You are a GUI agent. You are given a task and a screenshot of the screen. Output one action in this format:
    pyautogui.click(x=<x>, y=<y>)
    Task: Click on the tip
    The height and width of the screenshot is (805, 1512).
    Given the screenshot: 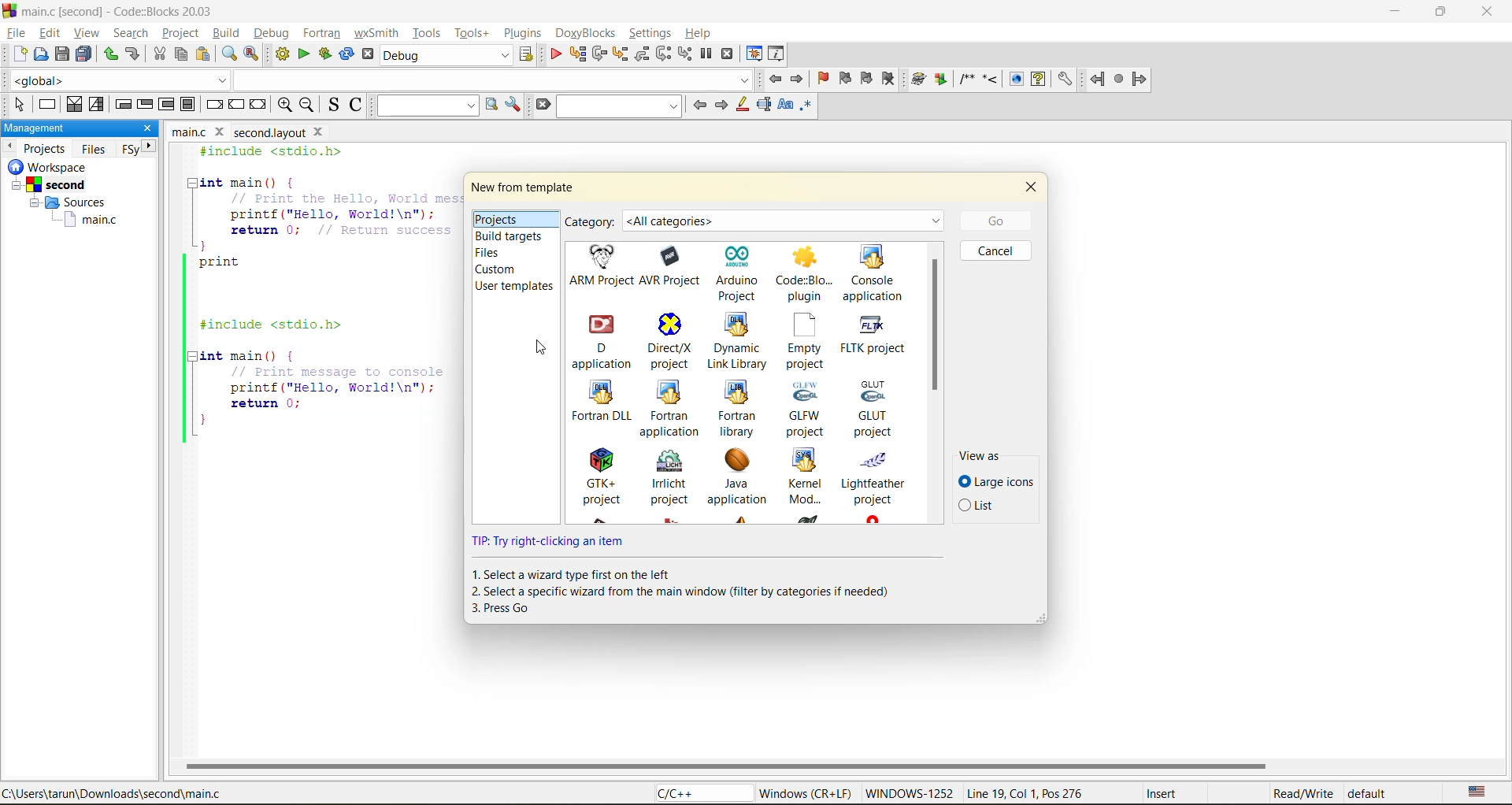 What is the action you would take?
    pyautogui.click(x=557, y=542)
    